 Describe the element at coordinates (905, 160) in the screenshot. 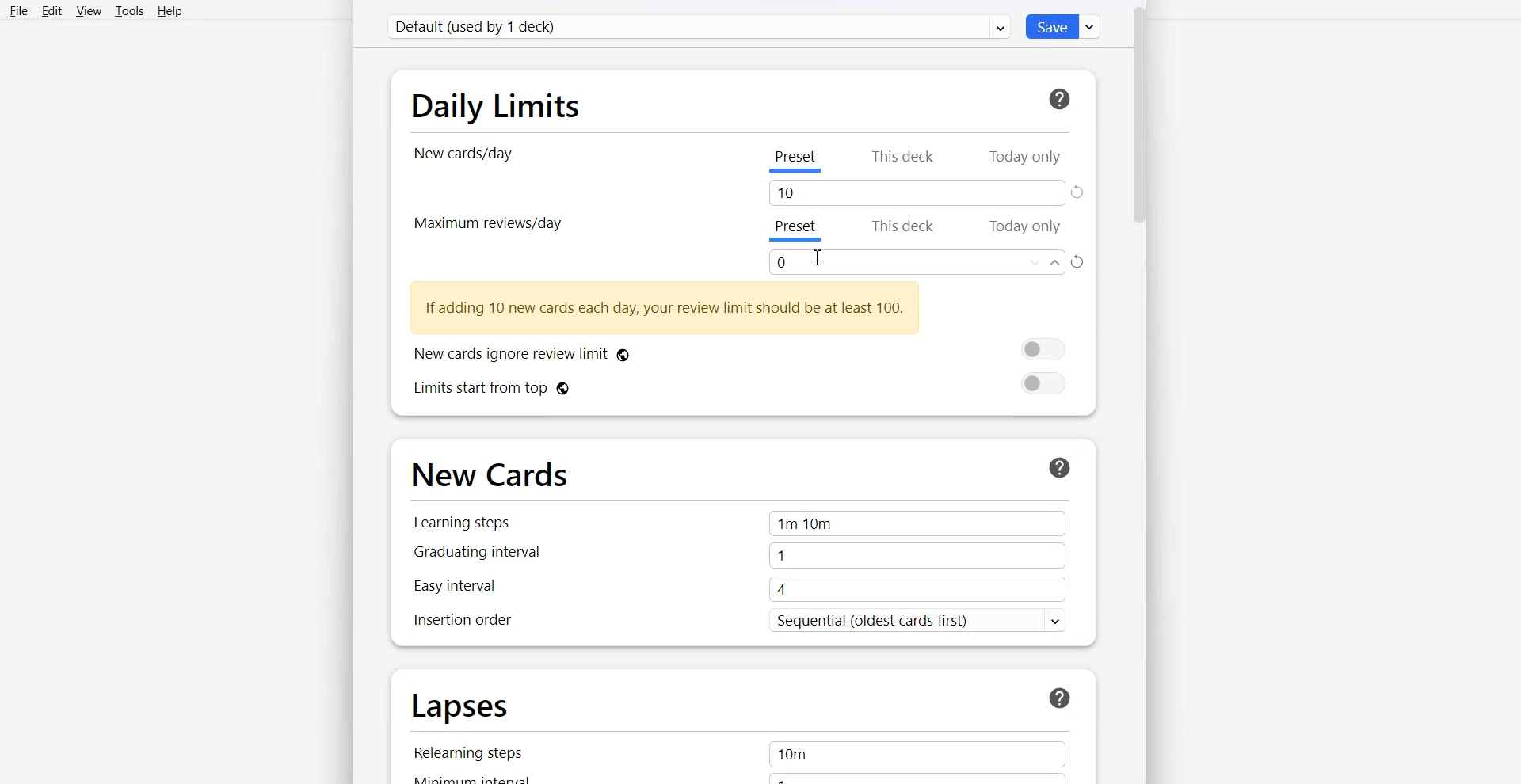

I see `This deck` at that location.